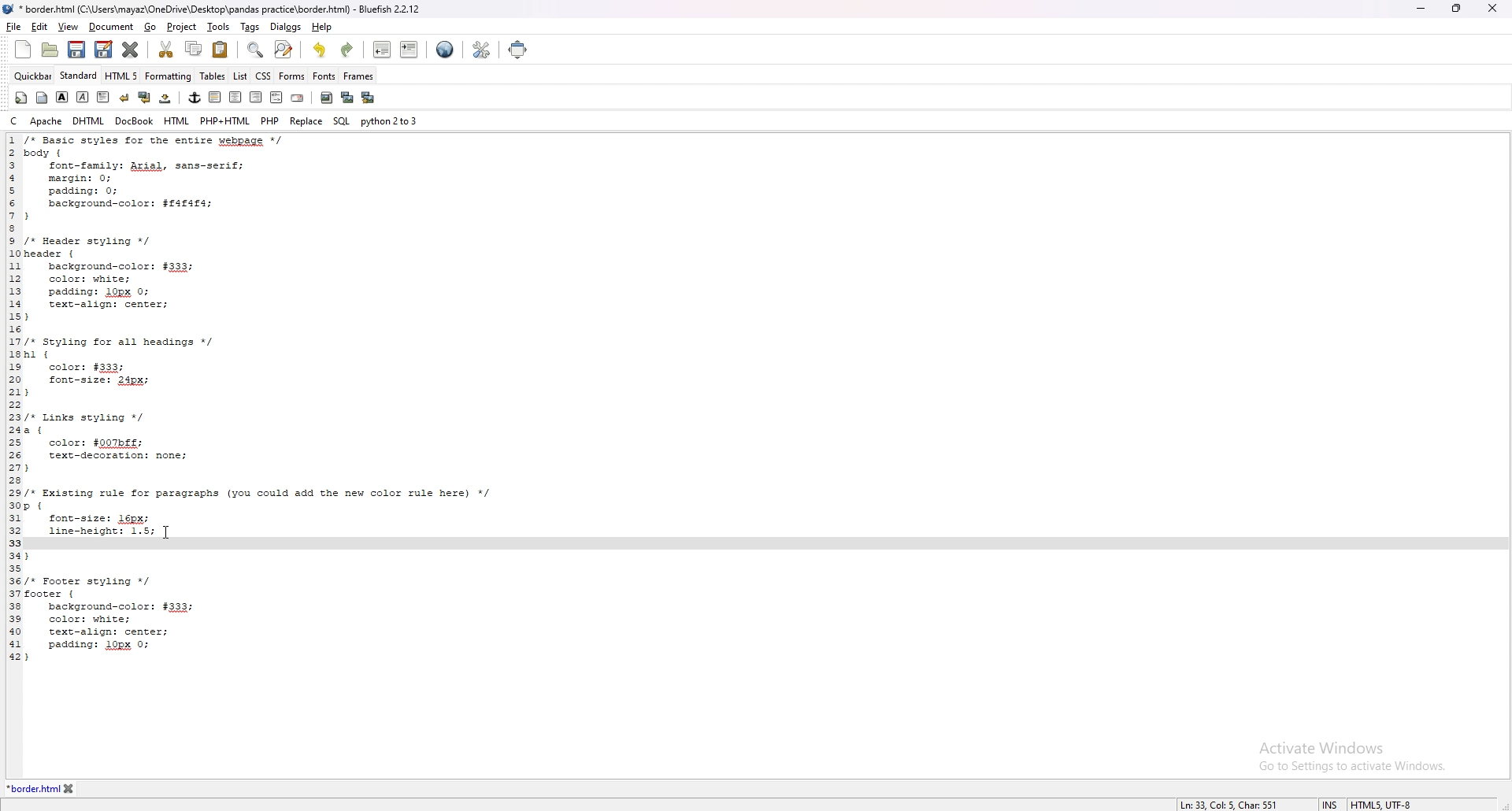 This screenshot has height=811, width=1512. I want to click on python 2to3, so click(390, 121).